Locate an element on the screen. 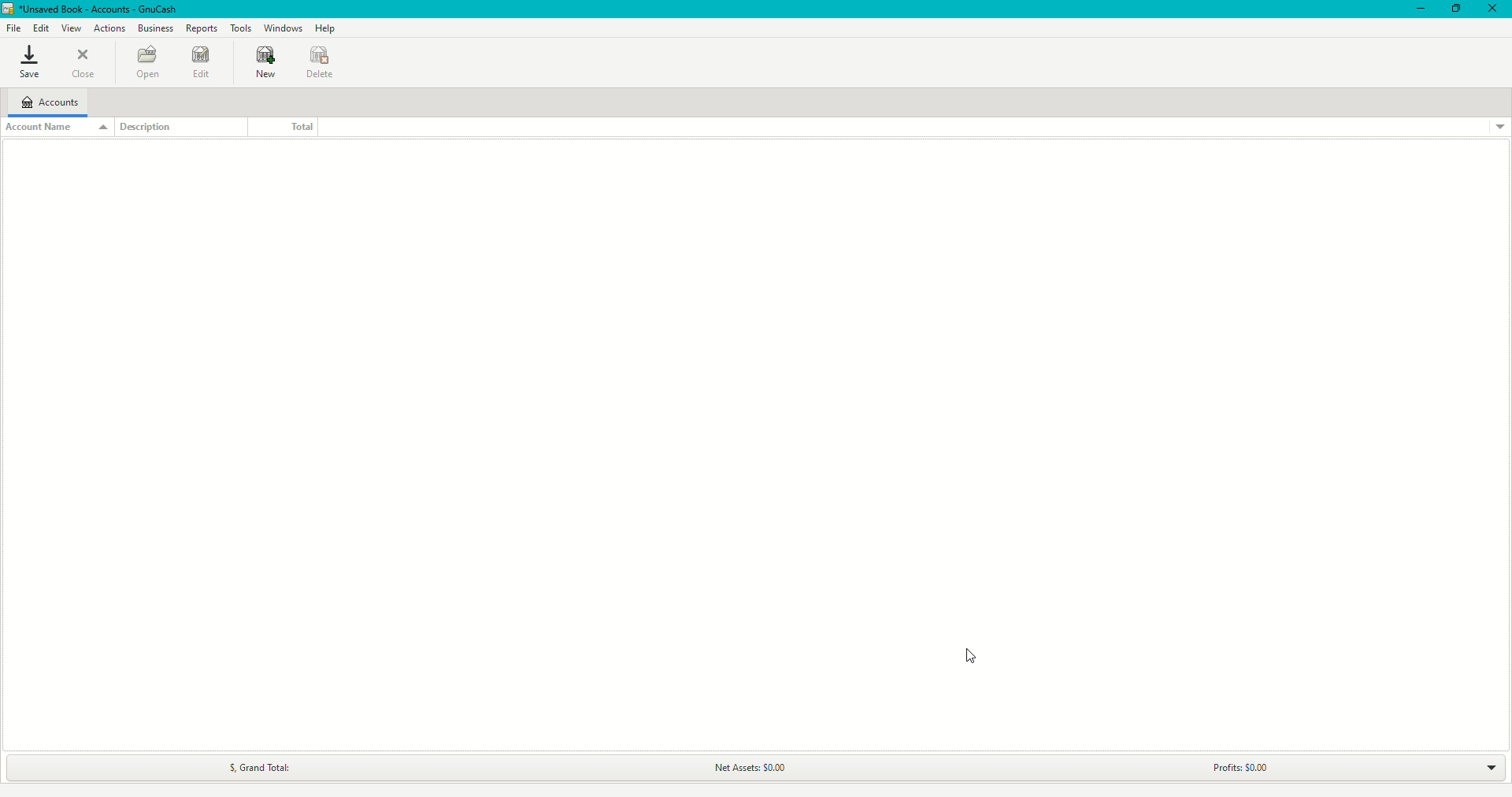 Image resolution: width=1512 pixels, height=797 pixels. Edit is located at coordinates (200, 65).